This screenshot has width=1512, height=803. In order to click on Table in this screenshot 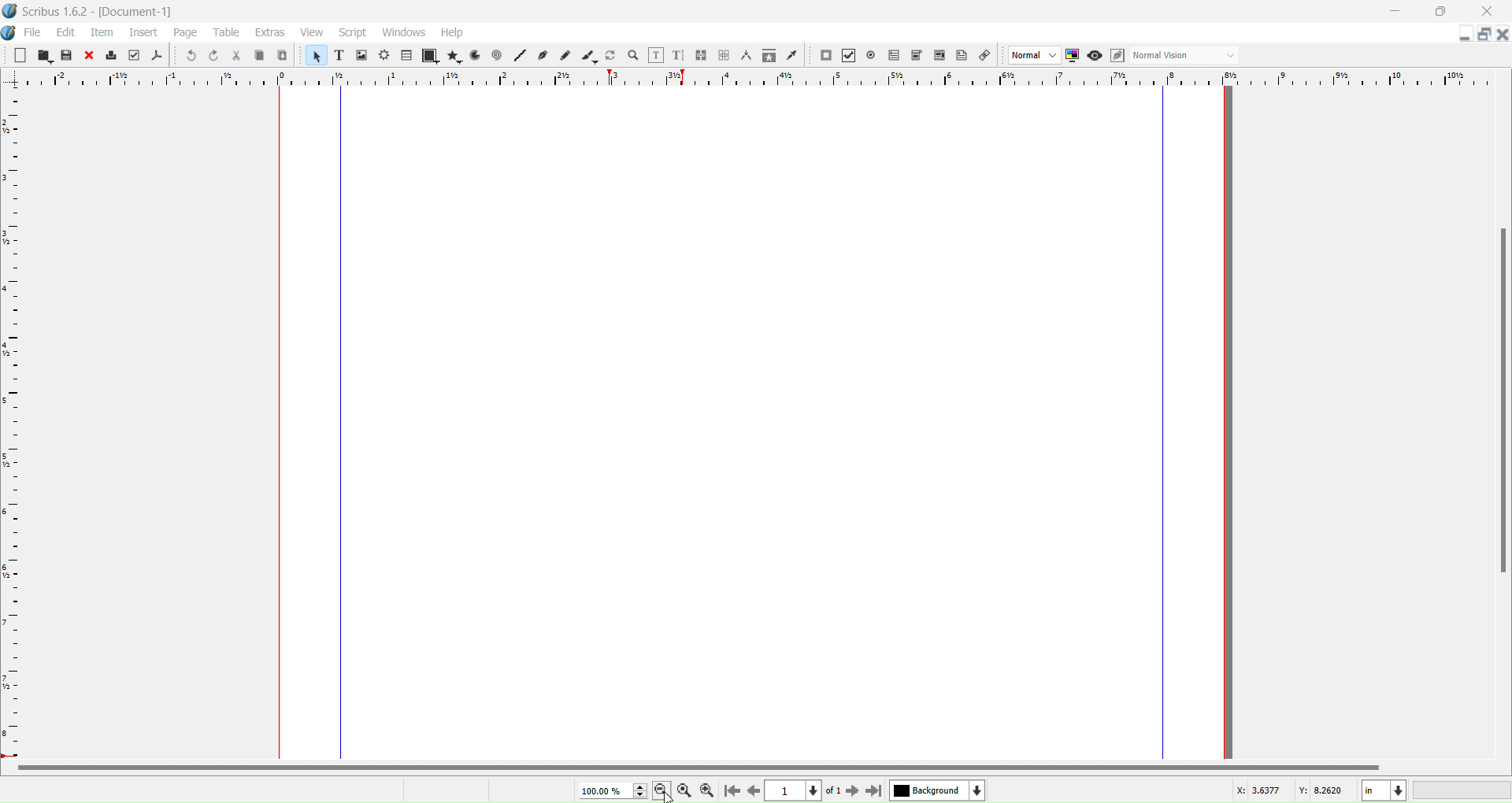, I will do `click(406, 57)`.